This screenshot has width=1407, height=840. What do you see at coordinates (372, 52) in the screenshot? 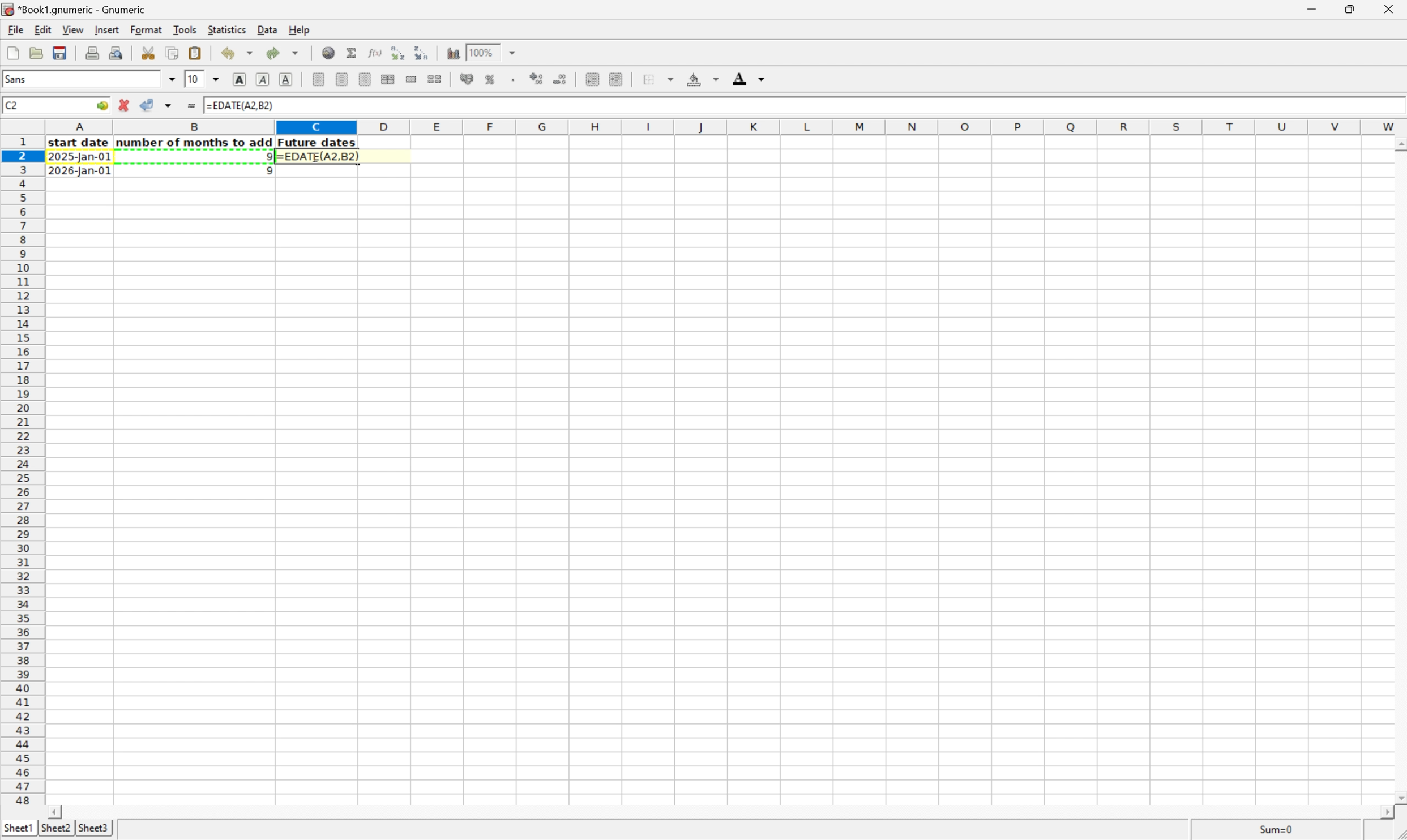
I see `Edit function in current cell` at bounding box center [372, 52].